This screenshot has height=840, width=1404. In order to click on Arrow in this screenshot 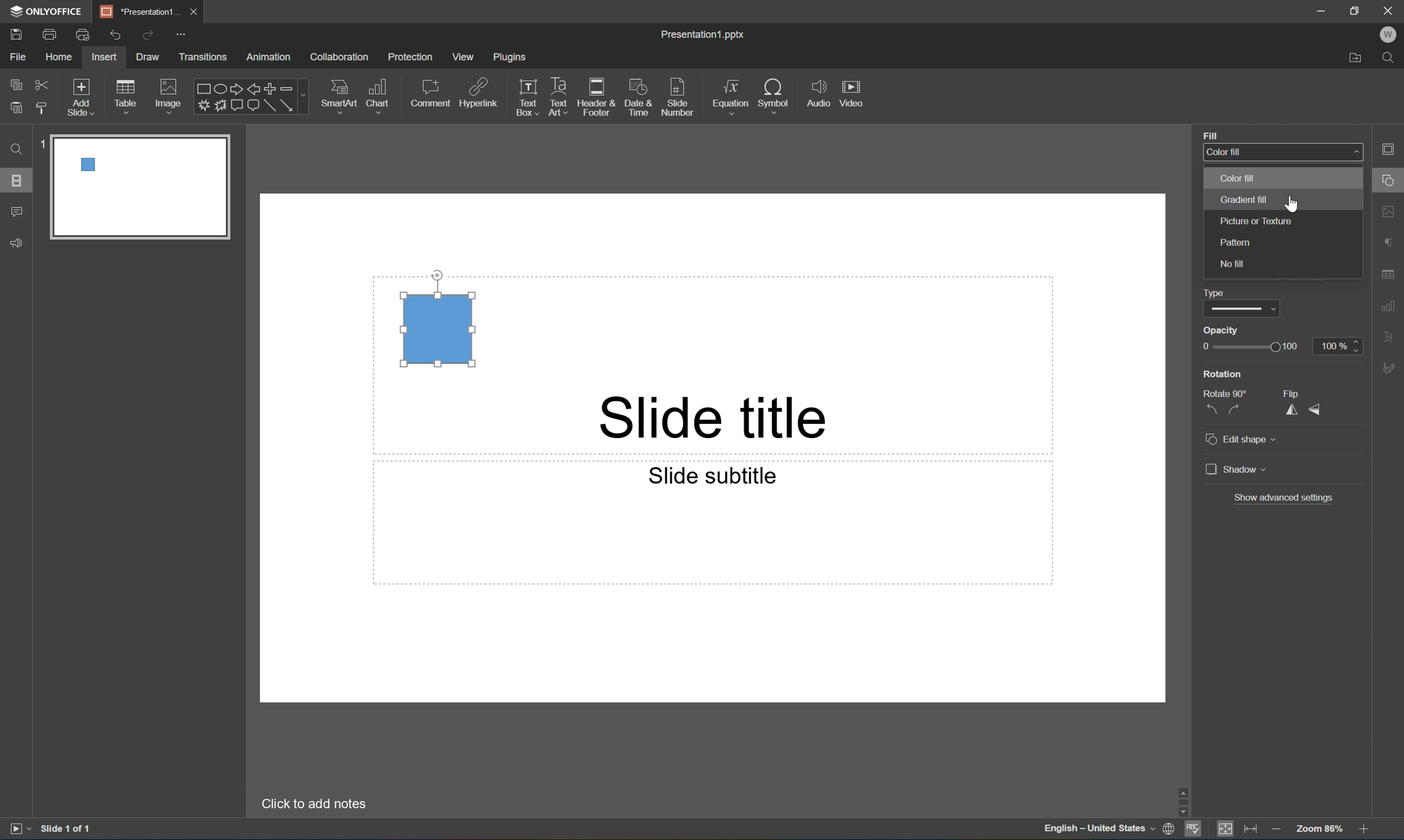, I will do `click(287, 105)`.